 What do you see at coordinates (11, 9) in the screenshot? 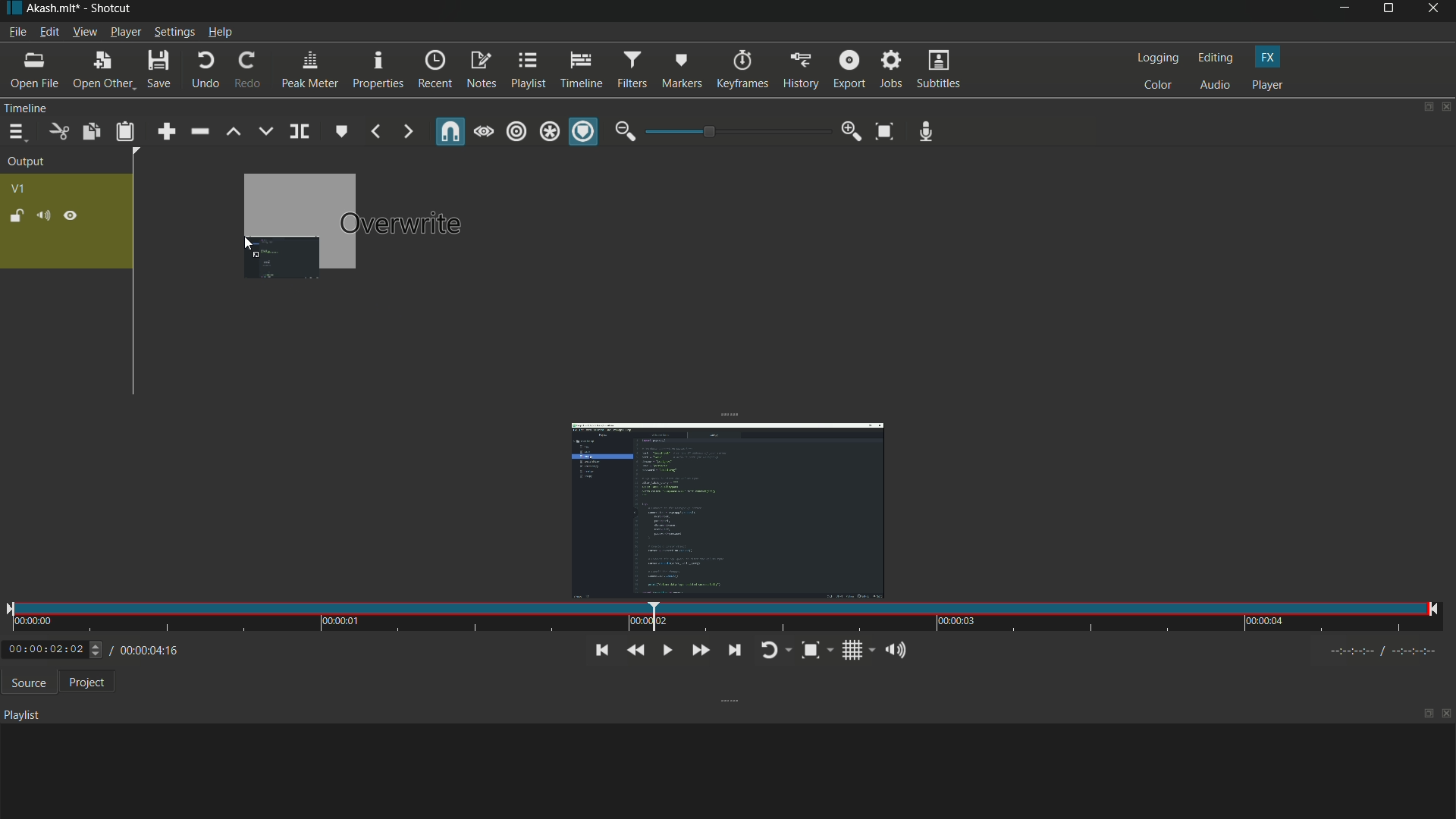
I see `app icon` at bounding box center [11, 9].